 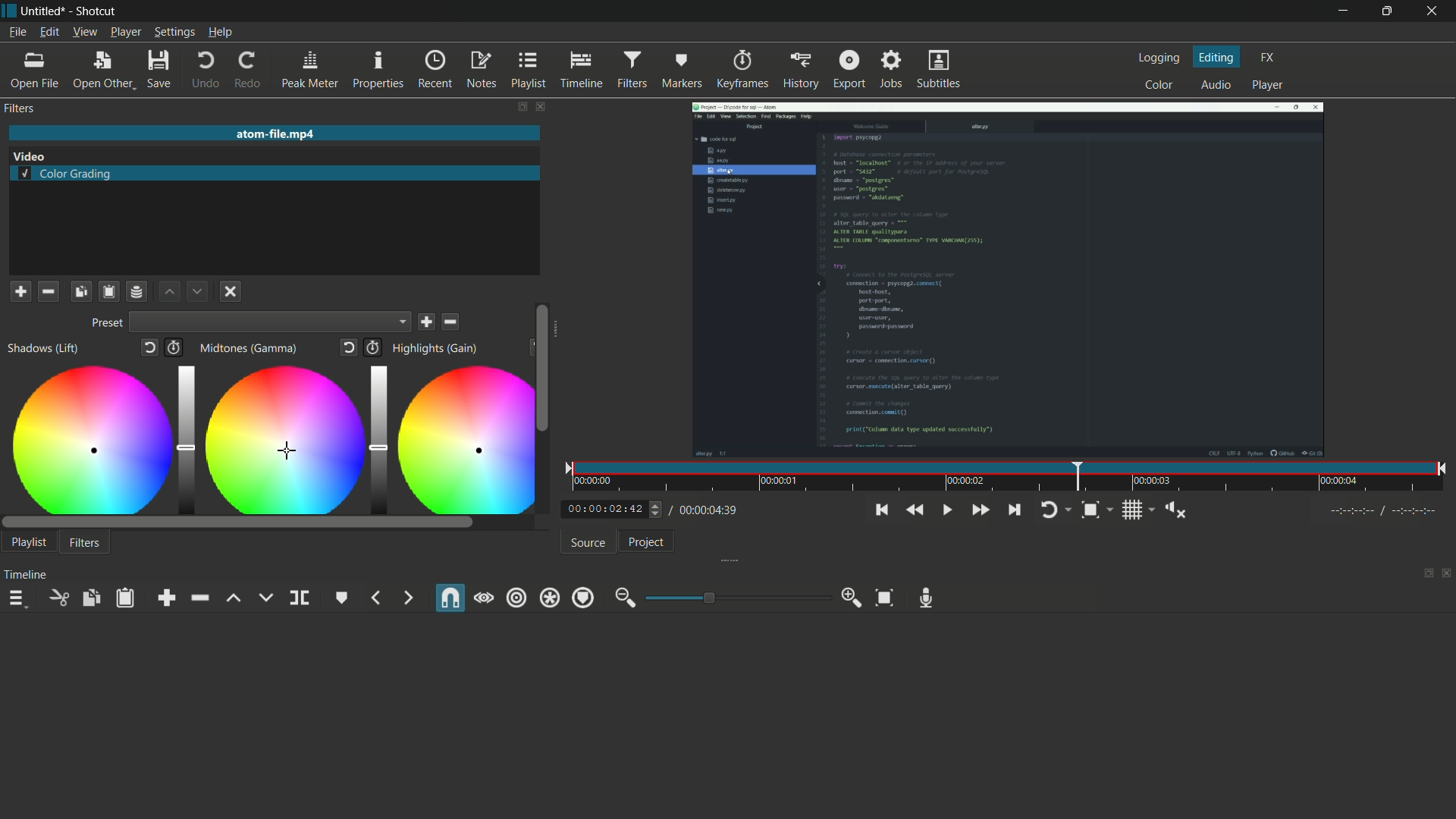 I want to click on app name, so click(x=96, y=11).